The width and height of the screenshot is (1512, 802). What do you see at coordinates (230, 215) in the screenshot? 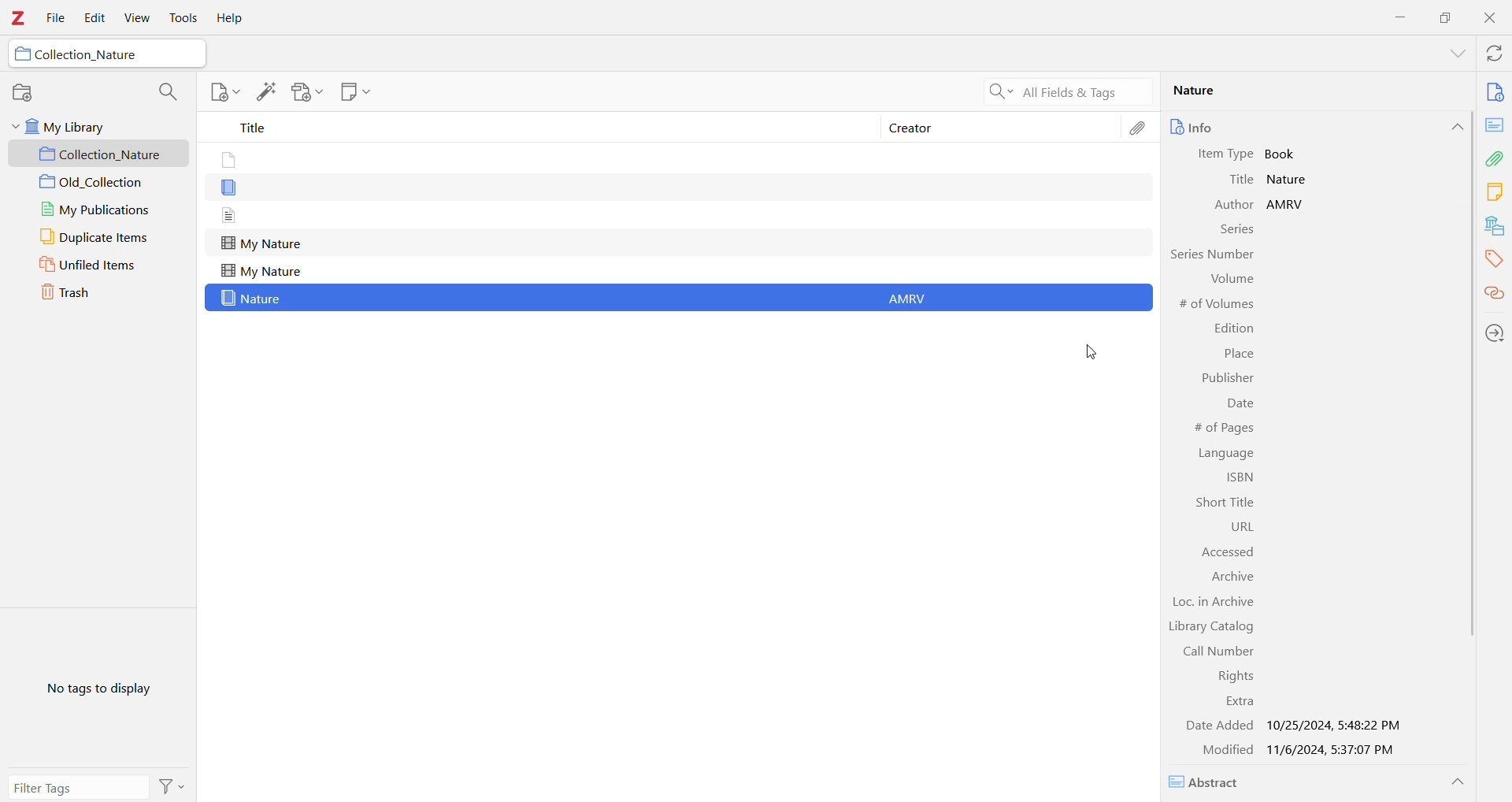
I see `item without title ` at bounding box center [230, 215].